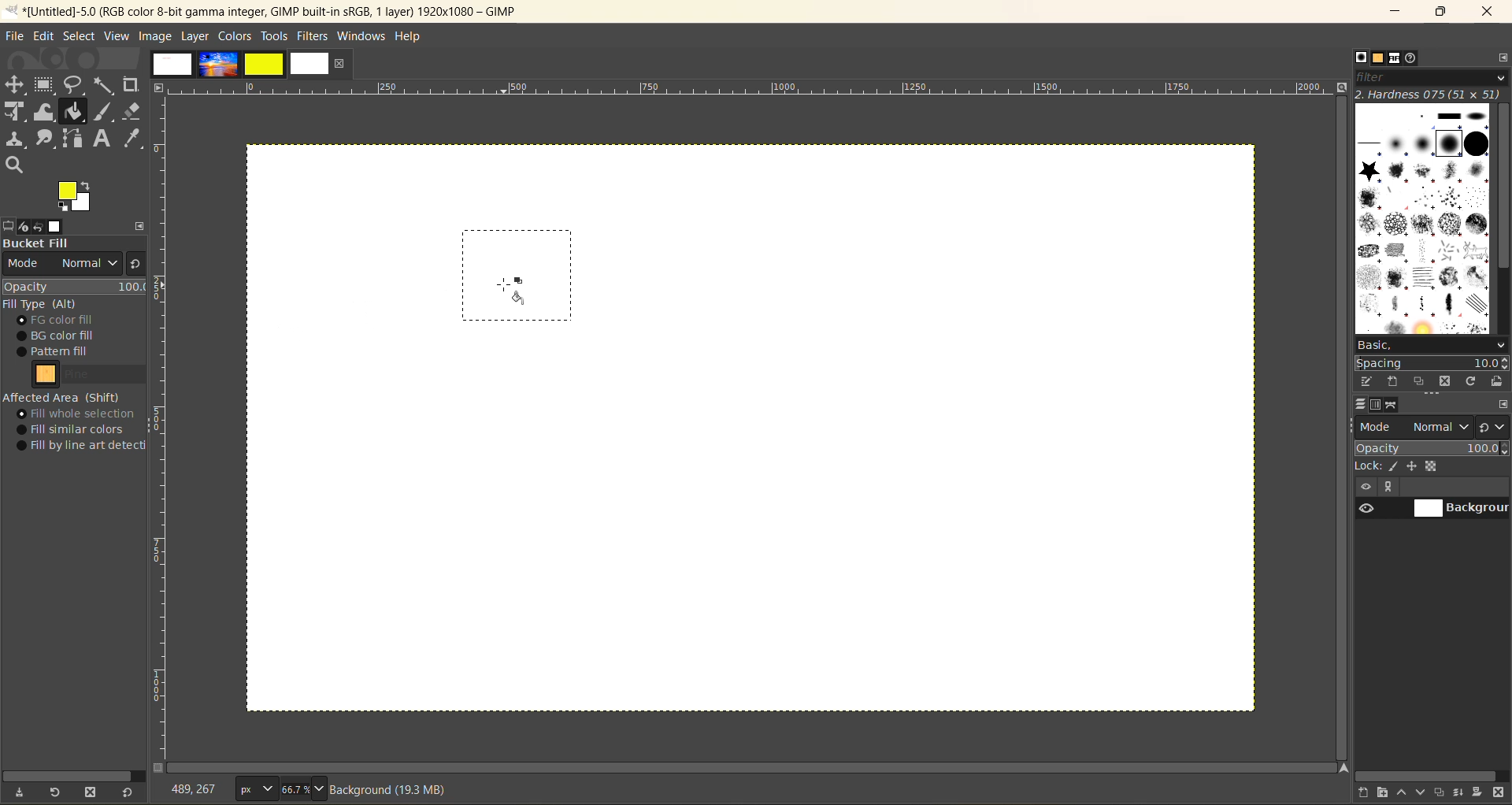 This screenshot has height=805, width=1512. Describe the element at coordinates (1365, 488) in the screenshot. I see `hide` at that location.